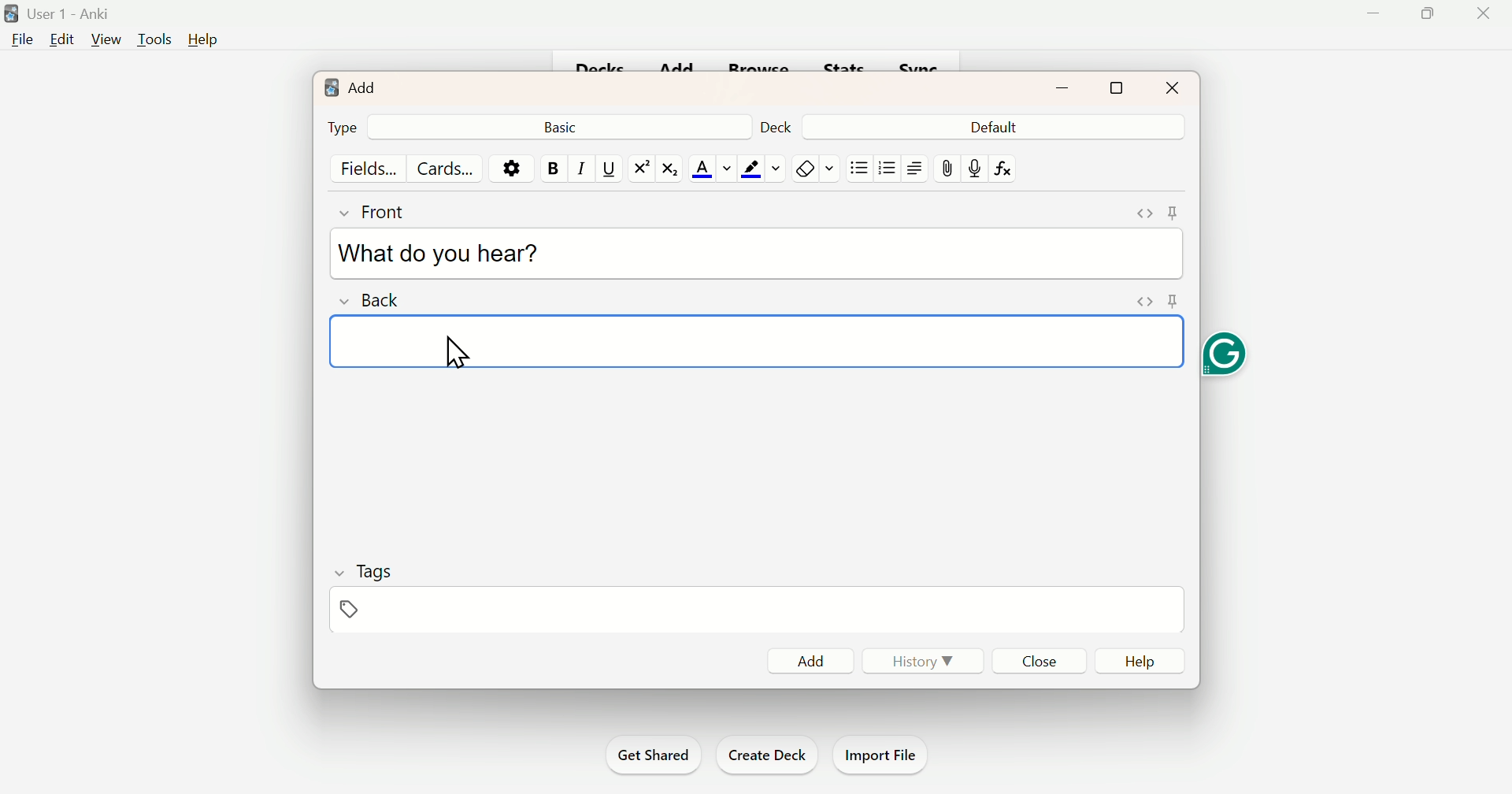 The image size is (1512, 794). What do you see at coordinates (816, 167) in the screenshot?
I see `Rubber` at bounding box center [816, 167].